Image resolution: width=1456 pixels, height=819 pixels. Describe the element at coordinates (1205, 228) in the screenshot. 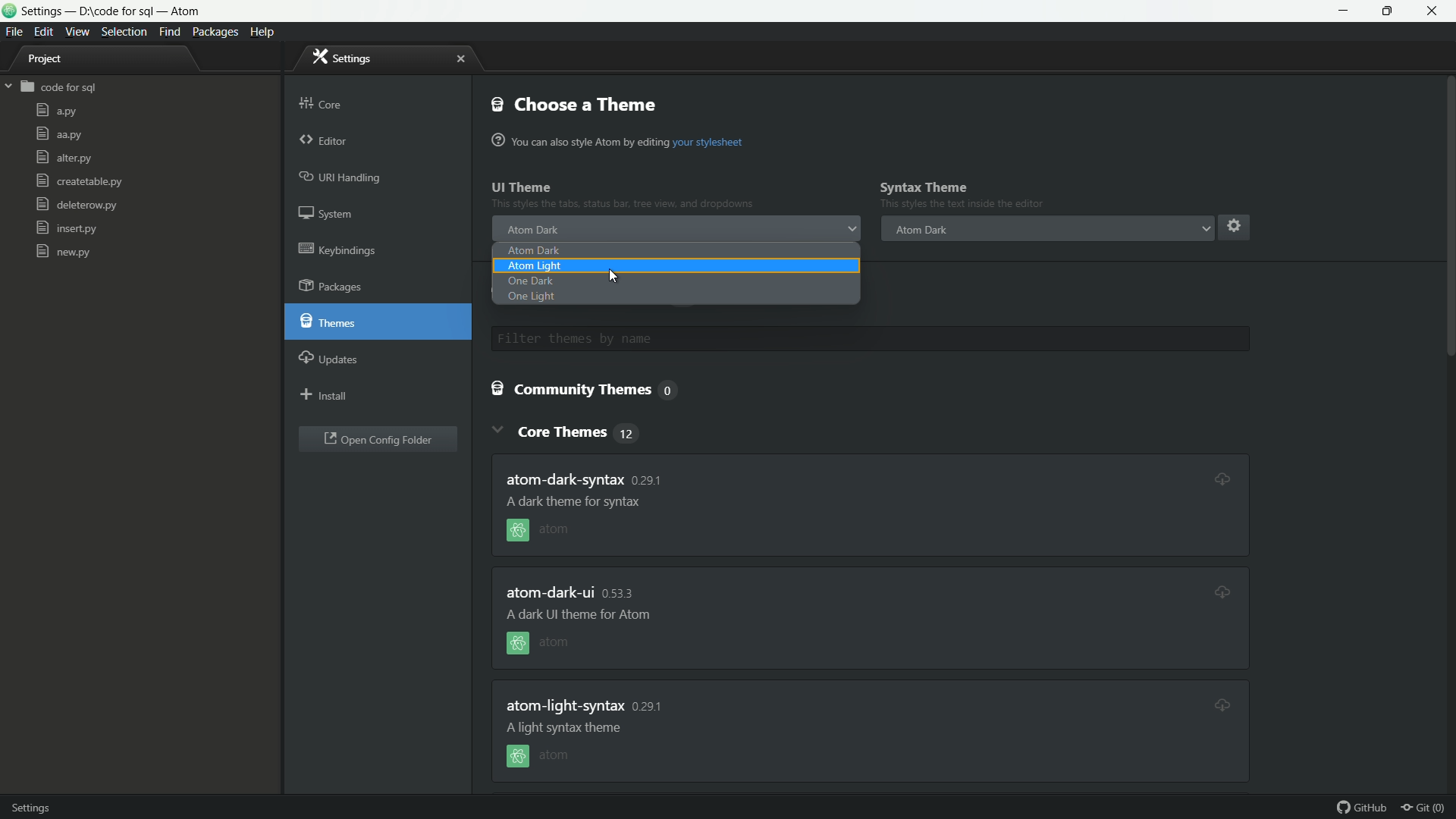

I see `dropdown` at that location.